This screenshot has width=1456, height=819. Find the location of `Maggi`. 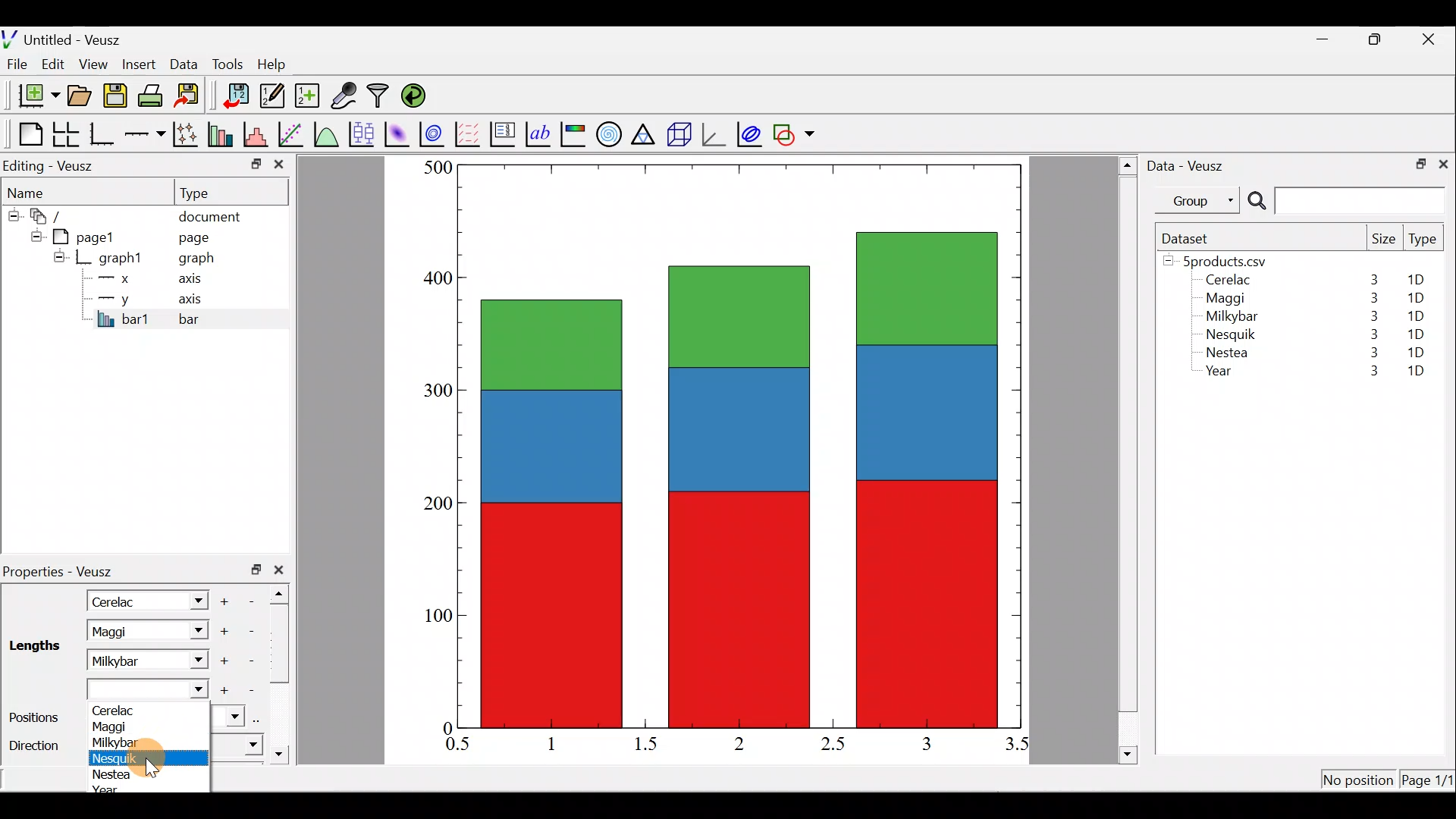

Maggi is located at coordinates (127, 631).